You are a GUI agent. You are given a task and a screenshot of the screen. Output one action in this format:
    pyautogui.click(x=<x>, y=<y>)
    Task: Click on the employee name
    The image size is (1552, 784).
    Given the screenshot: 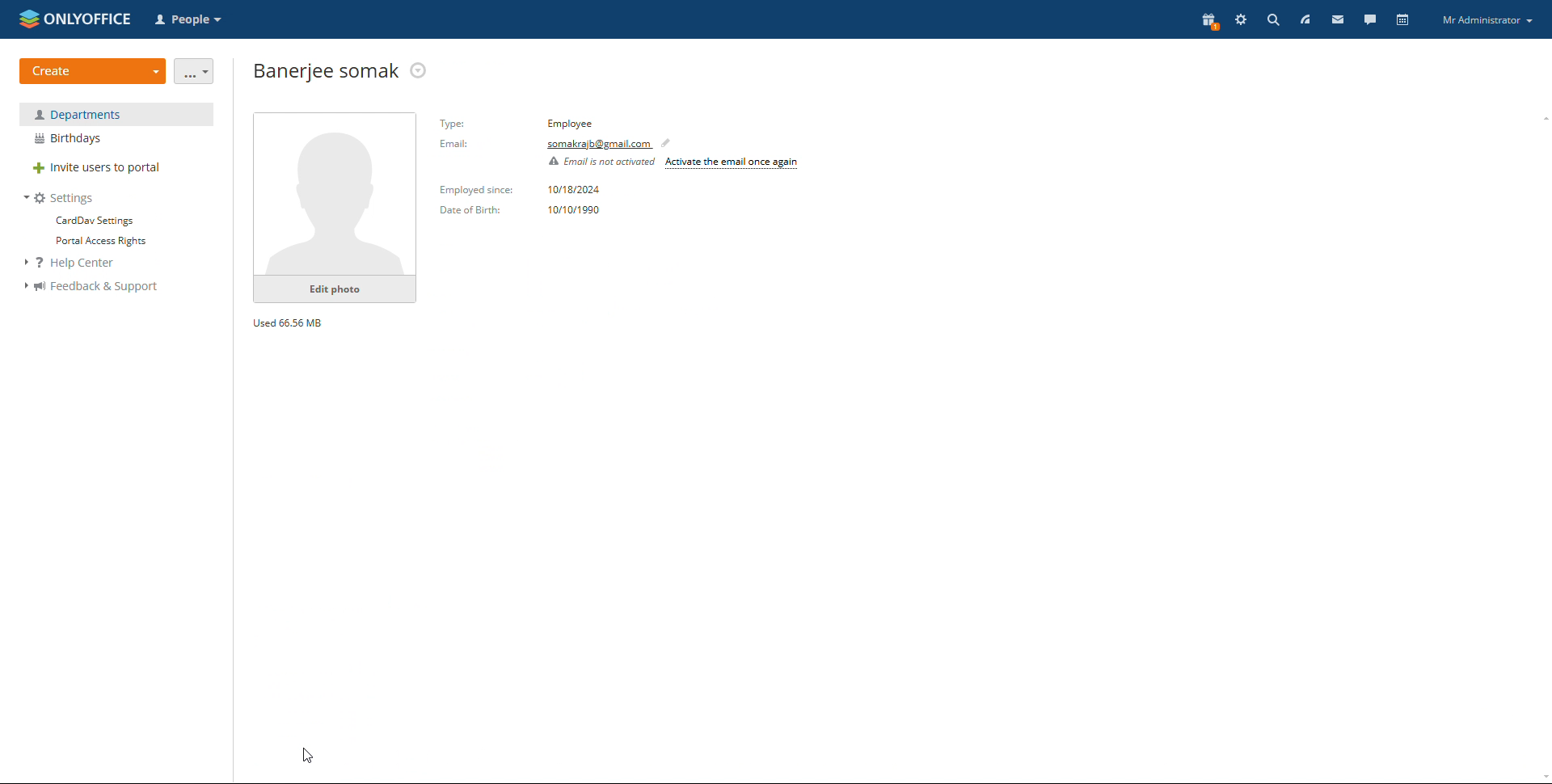 What is the action you would take?
    pyautogui.click(x=325, y=71)
    